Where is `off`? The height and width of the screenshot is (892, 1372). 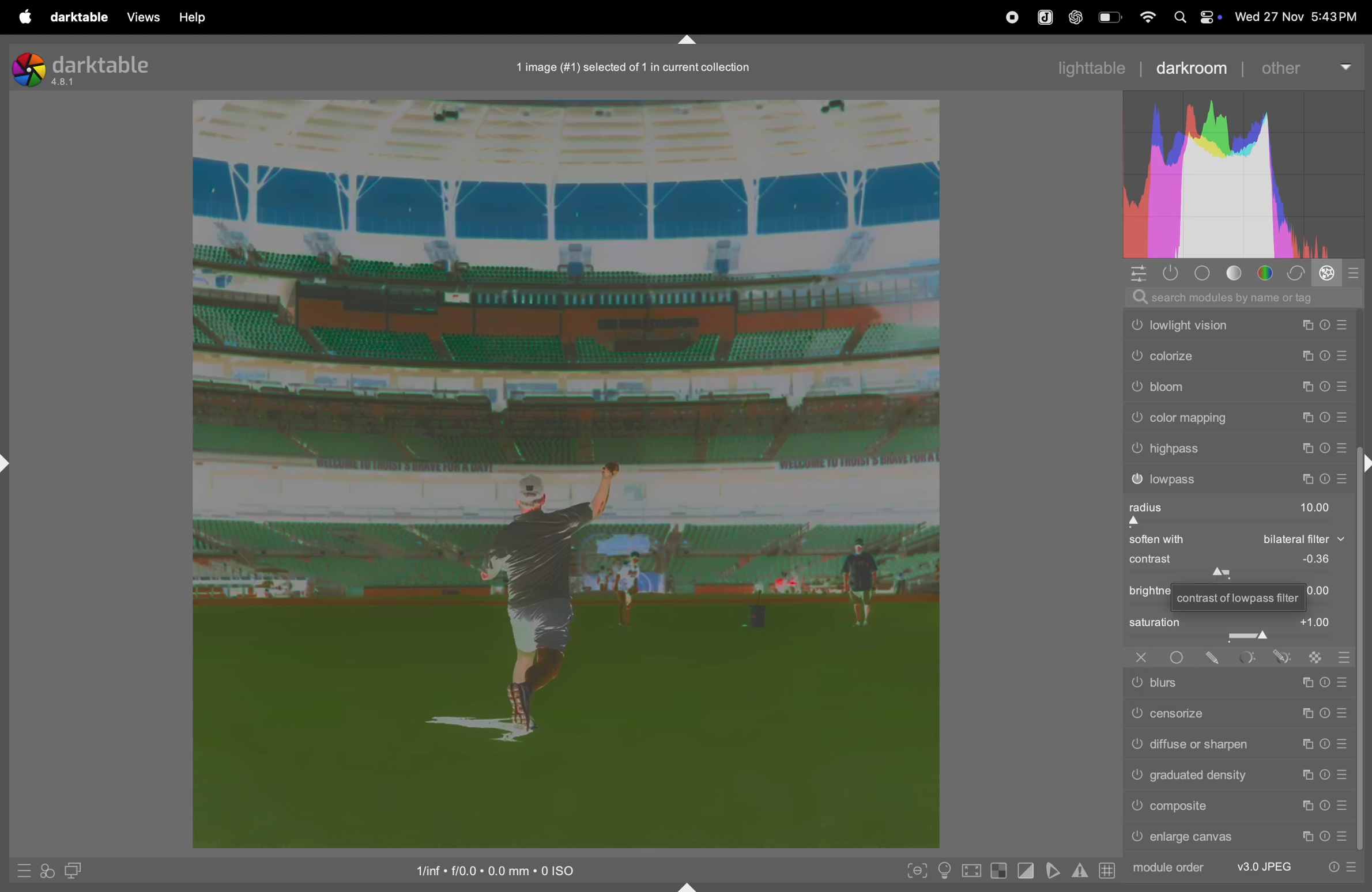 off is located at coordinates (1139, 657).